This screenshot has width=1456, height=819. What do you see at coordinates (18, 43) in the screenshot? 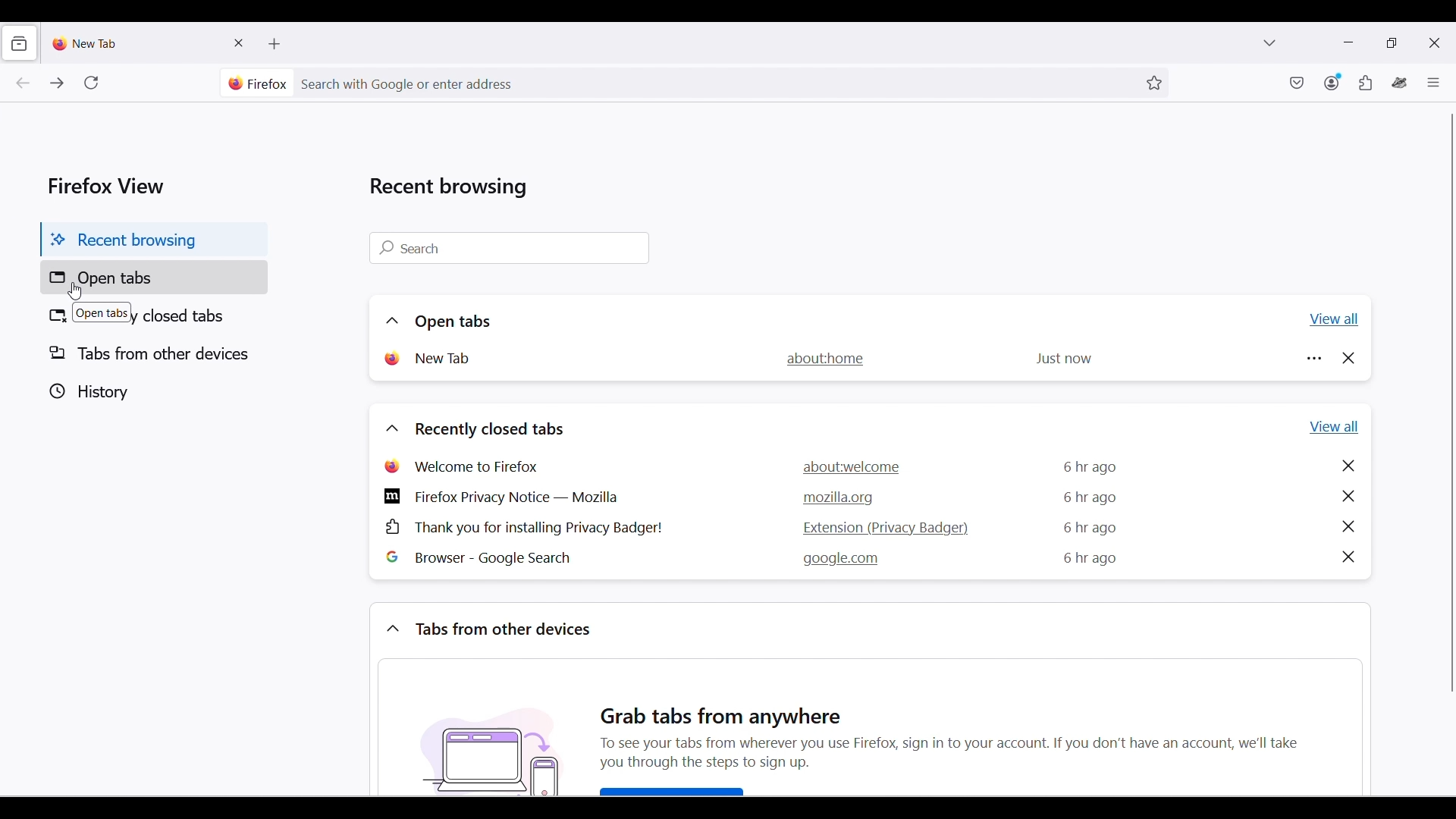
I see `View recent browsing across windows and devices` at bounding box center [18, 43].